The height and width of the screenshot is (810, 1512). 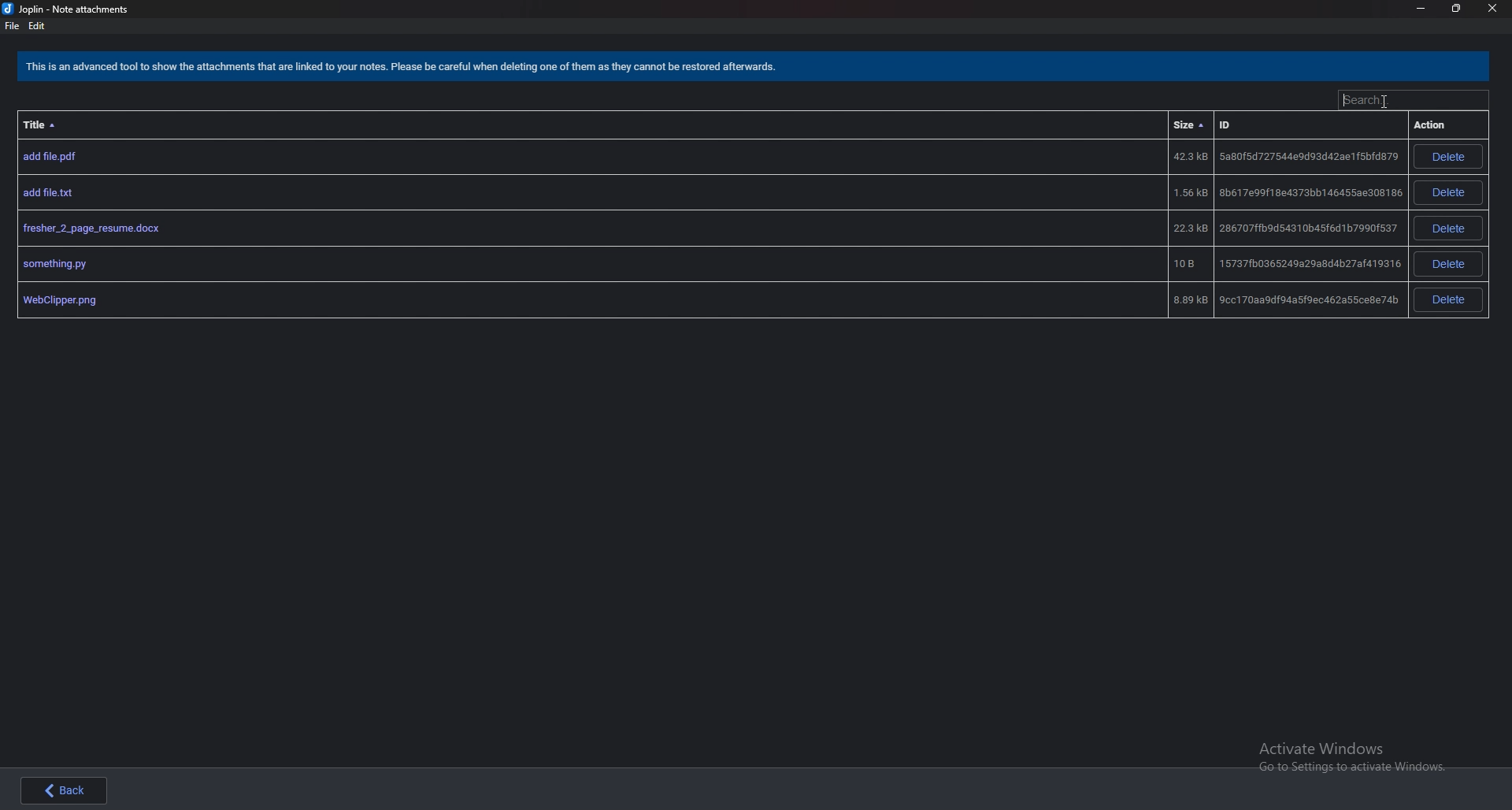 What do you see at coordinates (1388, 100) in the screenshot?
I see `cursor` at bounding box center [1388, 100].